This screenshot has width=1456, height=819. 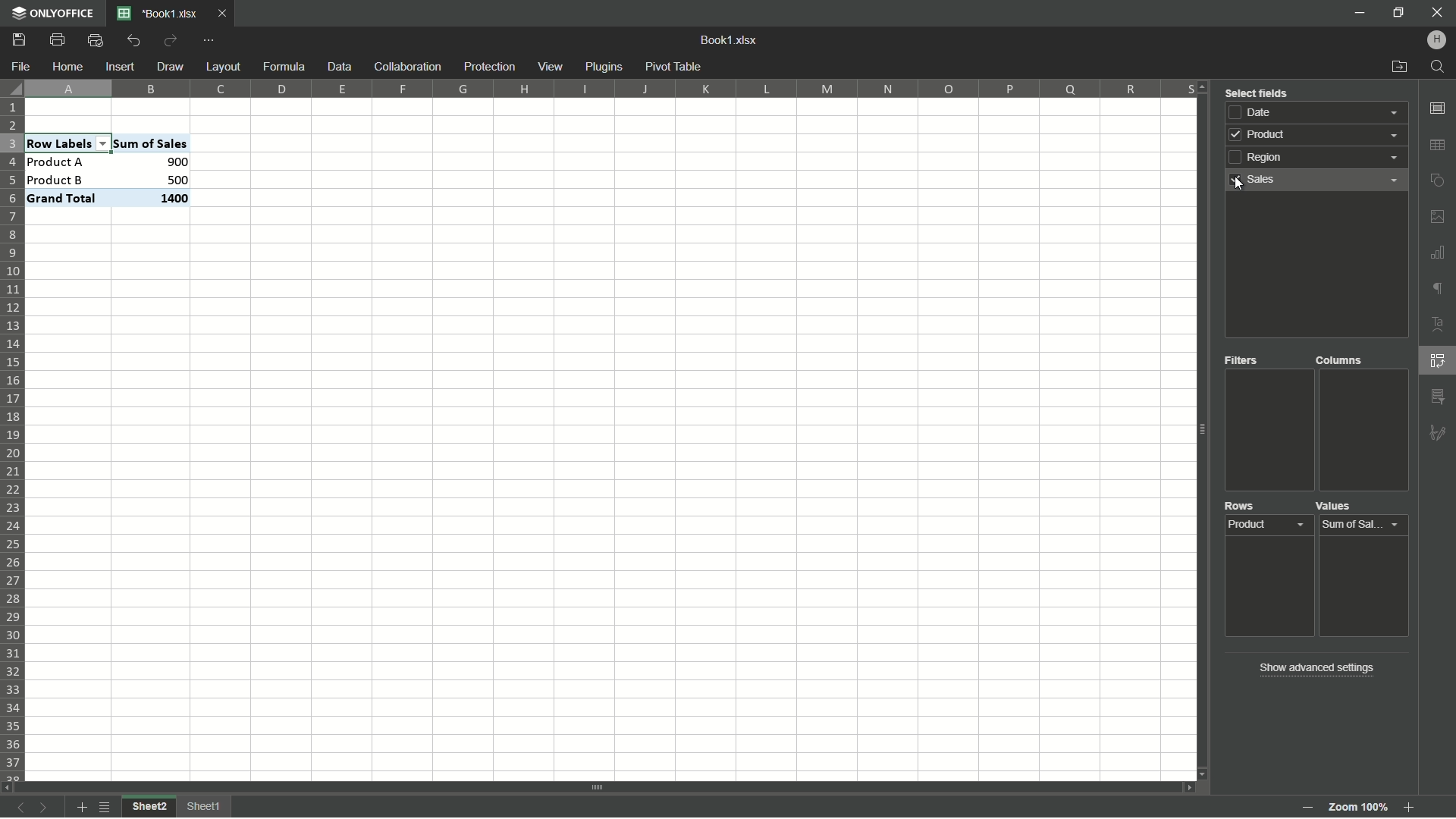 I want to click on Home, so click(x=69, y=65).